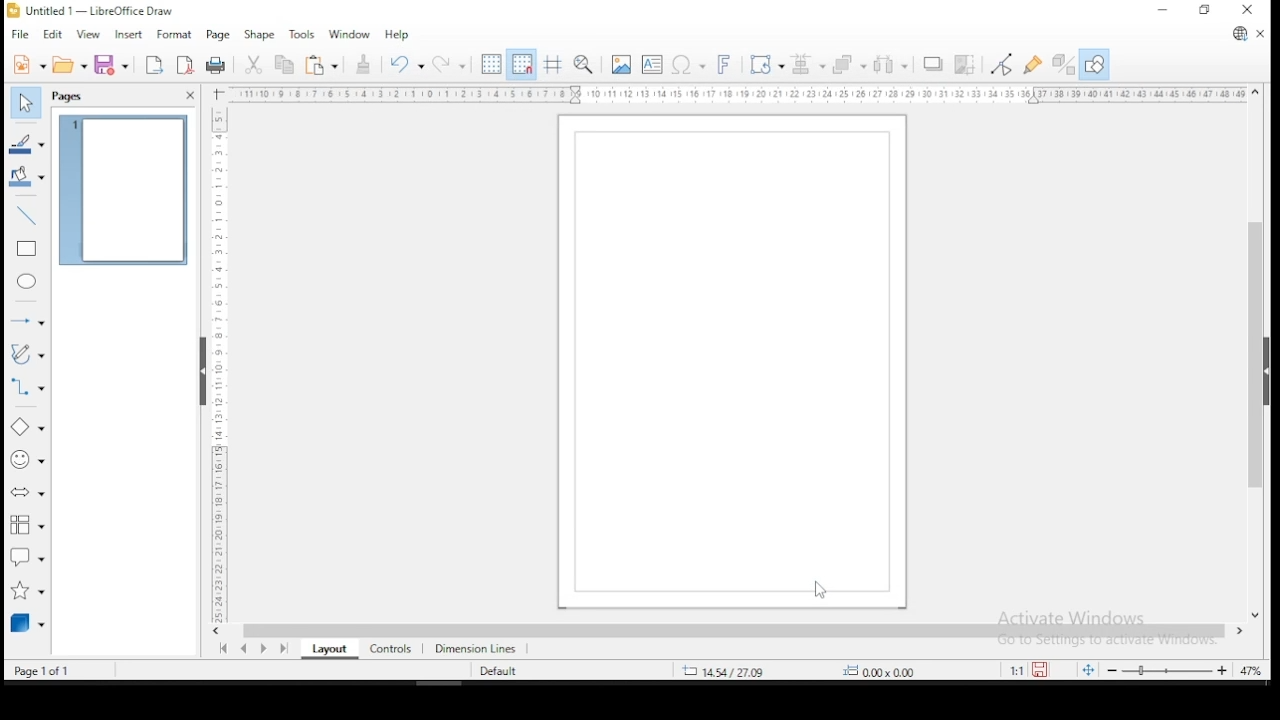 This screenshot has width=1280, height=720. Describe the element at coordinates (1062, 65) in the screenshot. I see `toggle extrusions` at that location.